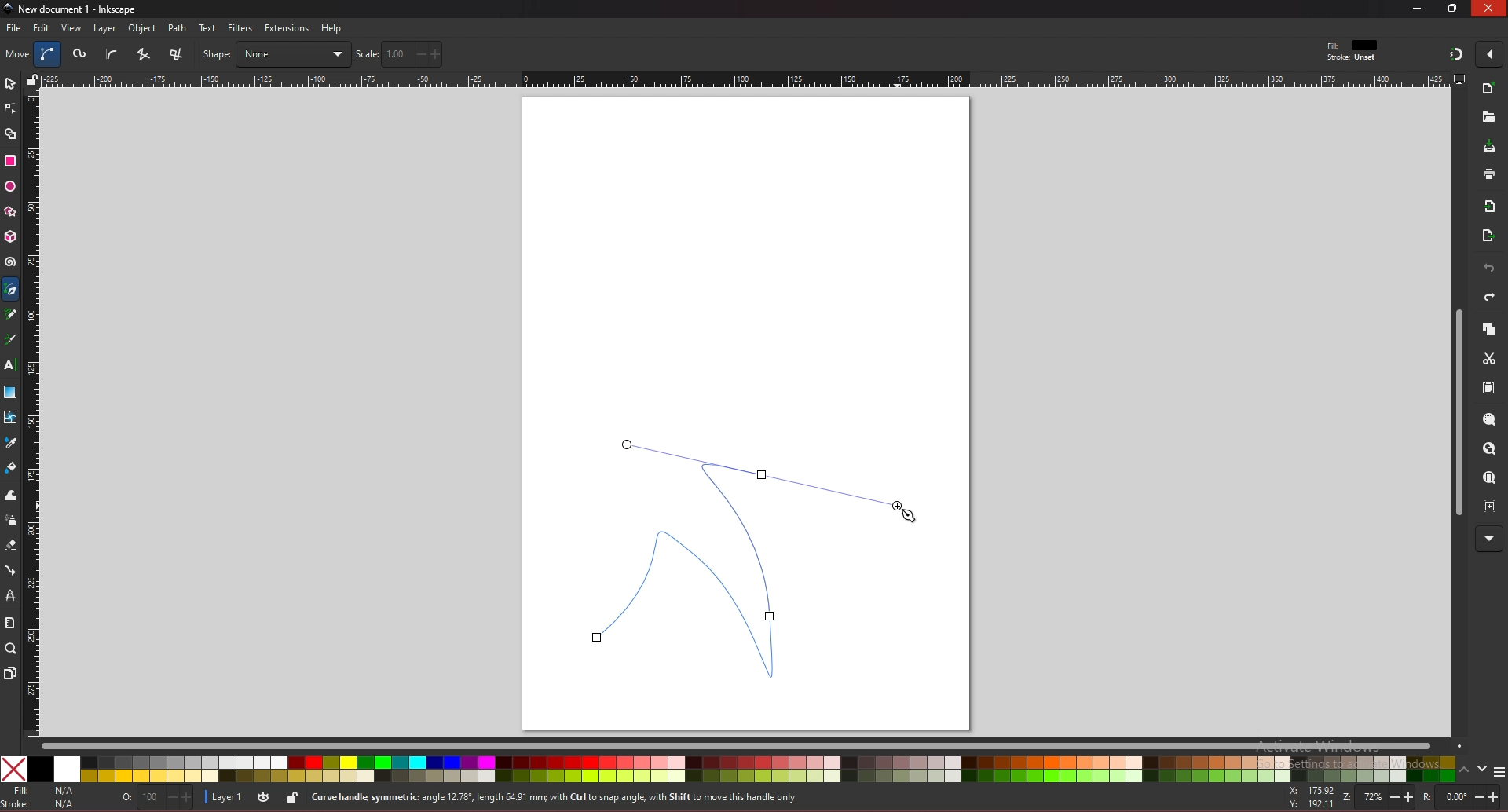 The width and height of the screenshot is (1508, 812). What do you see at coordinates (1493, 207) in the screenshot?
I see `import` at bounding box center [1493, 207].